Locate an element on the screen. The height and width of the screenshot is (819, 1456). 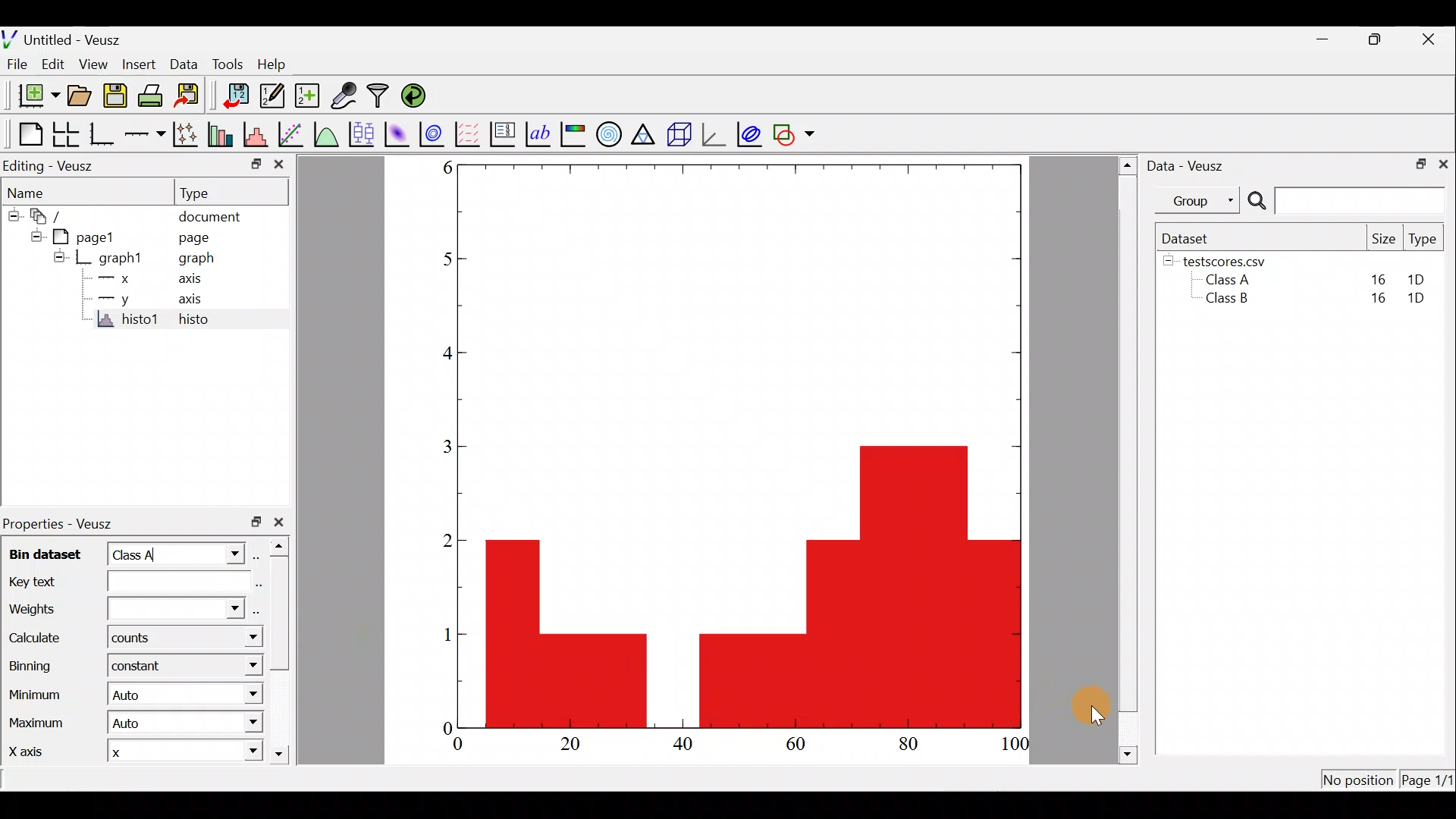
Calculate is located at coordinates (39, 639).